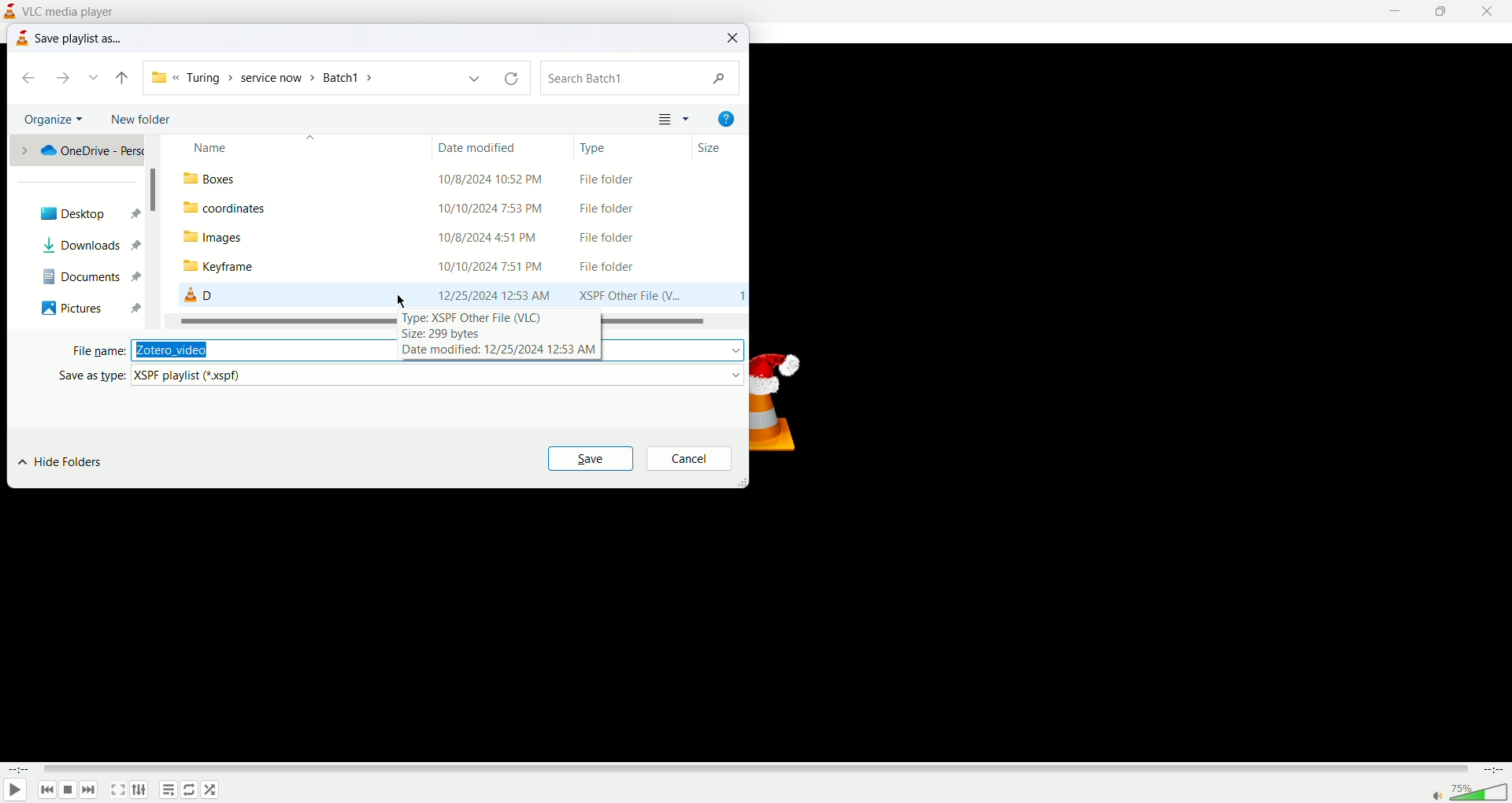 Image resolution: width=1512 pixels, height=803 pixels. What do you see at coordinates (710, 147) in the screenshot?
I see `size` at bounding box center [710, 147].